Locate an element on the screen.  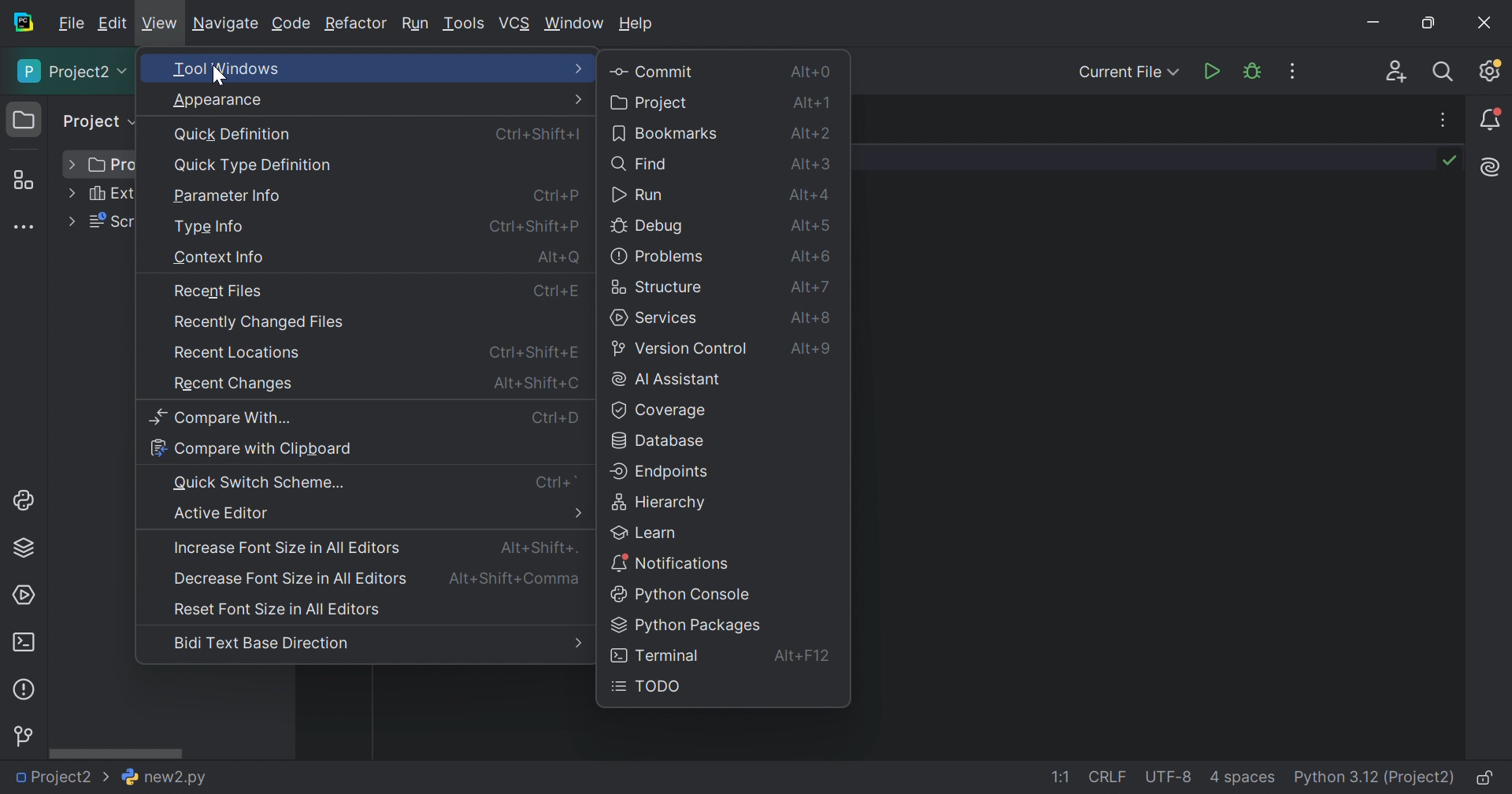
Run is located at coordinates (638, 192).